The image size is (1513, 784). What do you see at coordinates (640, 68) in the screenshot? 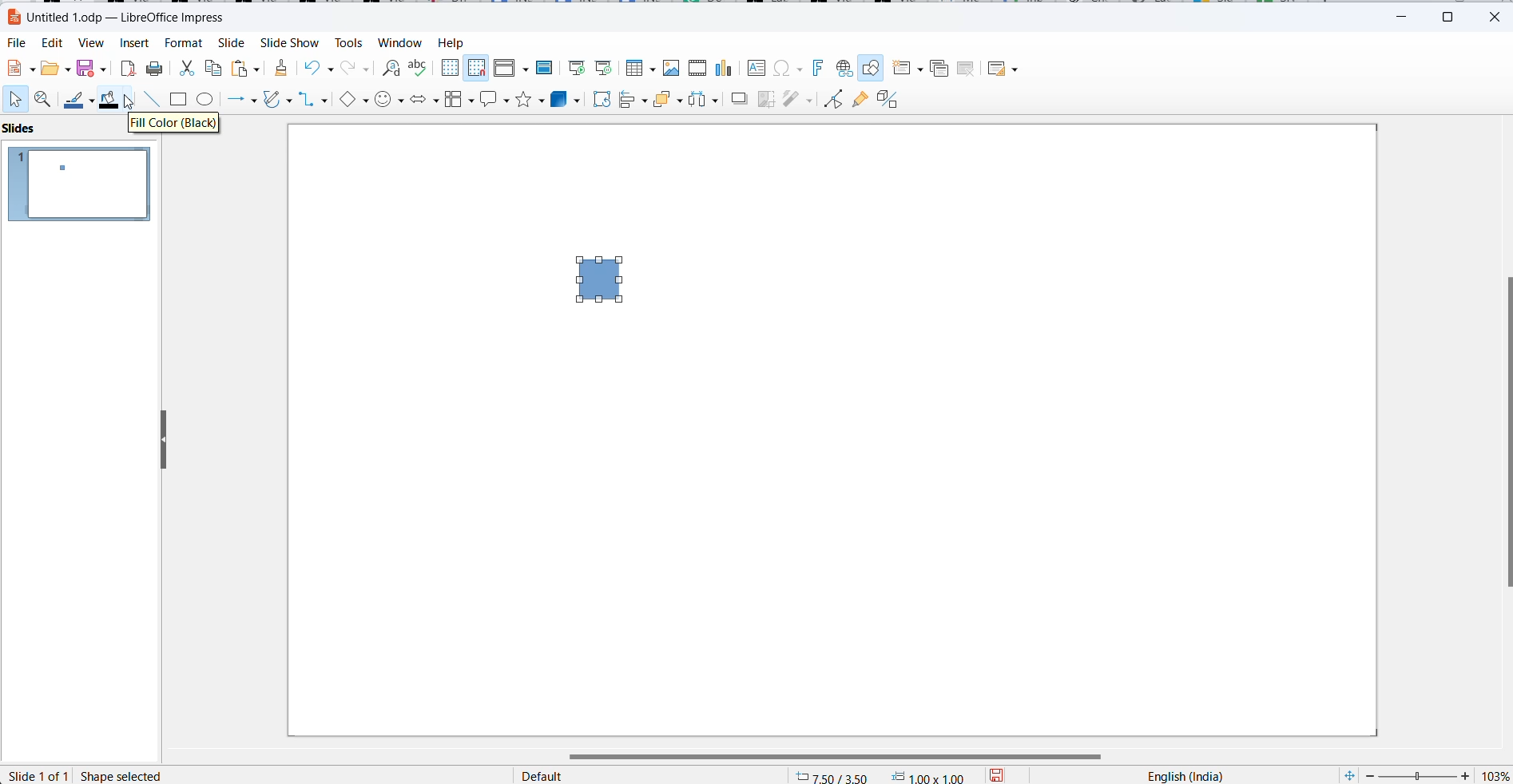
I see `Insert table` at bounding box center [640, 68].